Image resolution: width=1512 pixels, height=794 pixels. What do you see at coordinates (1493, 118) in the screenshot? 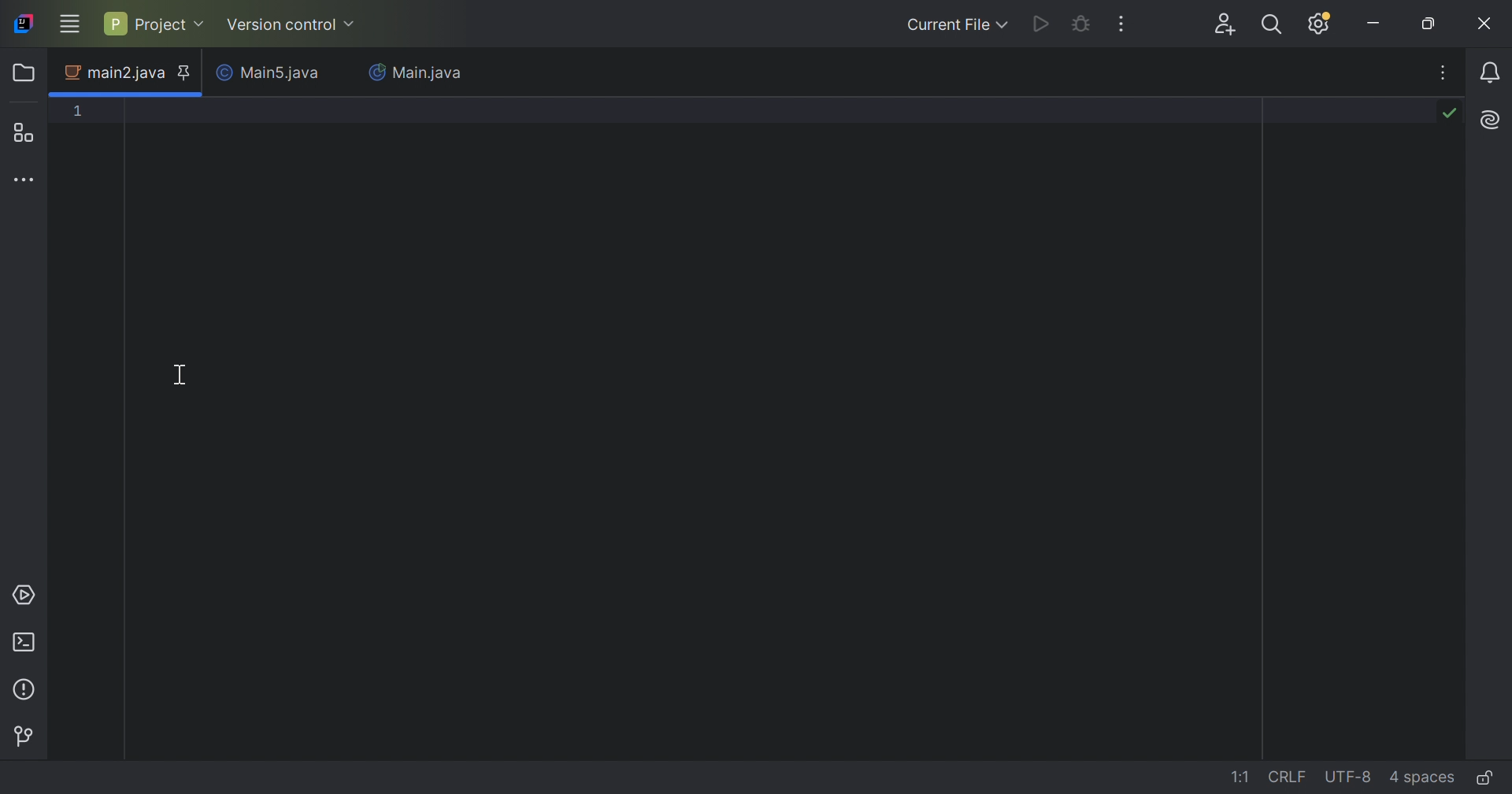
I see `AI Assistant` at bounding box center [1493, 118].